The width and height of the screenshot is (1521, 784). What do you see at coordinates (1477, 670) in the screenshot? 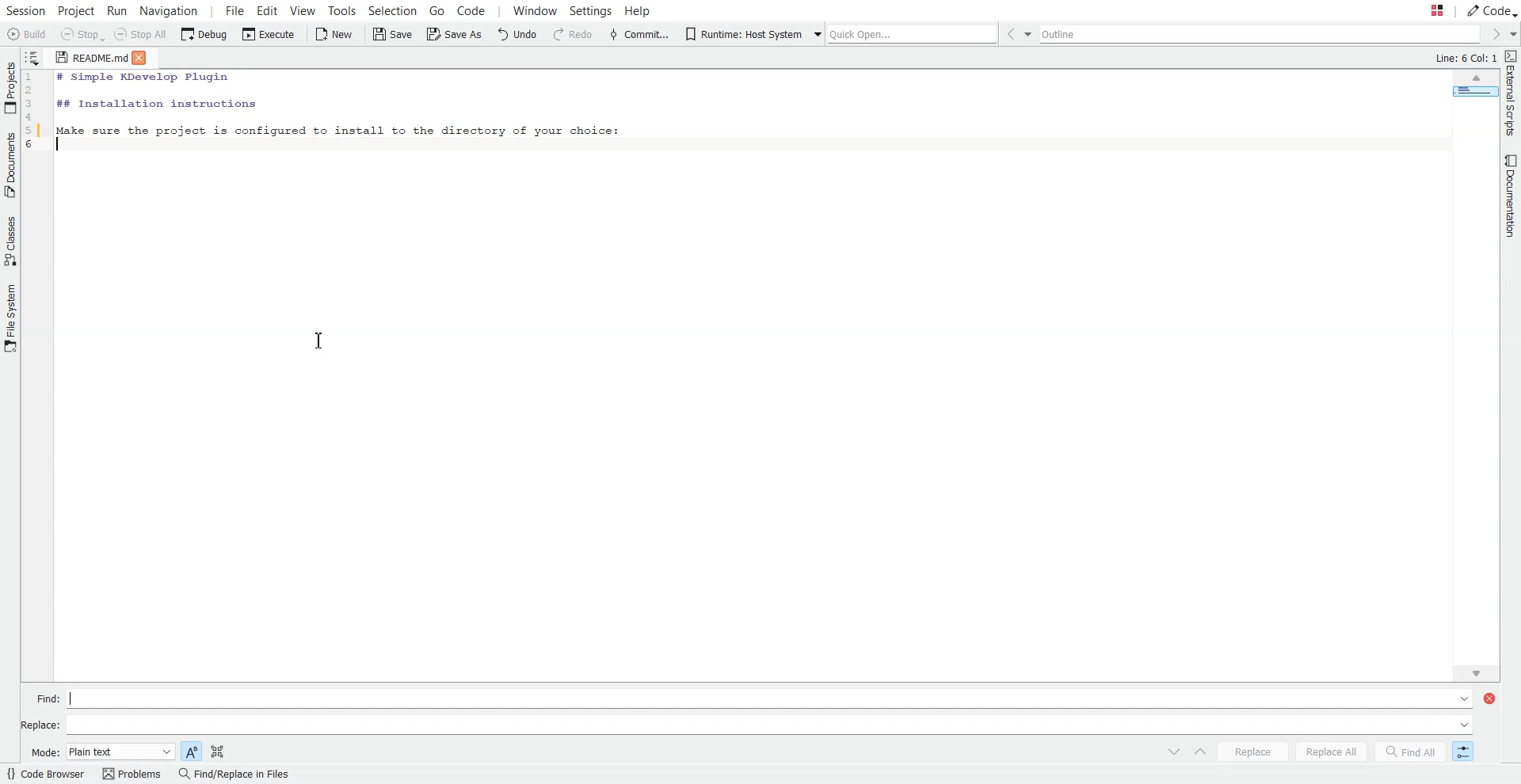
I see `Scroll Bar Down` at bounding box center [1477, 670].